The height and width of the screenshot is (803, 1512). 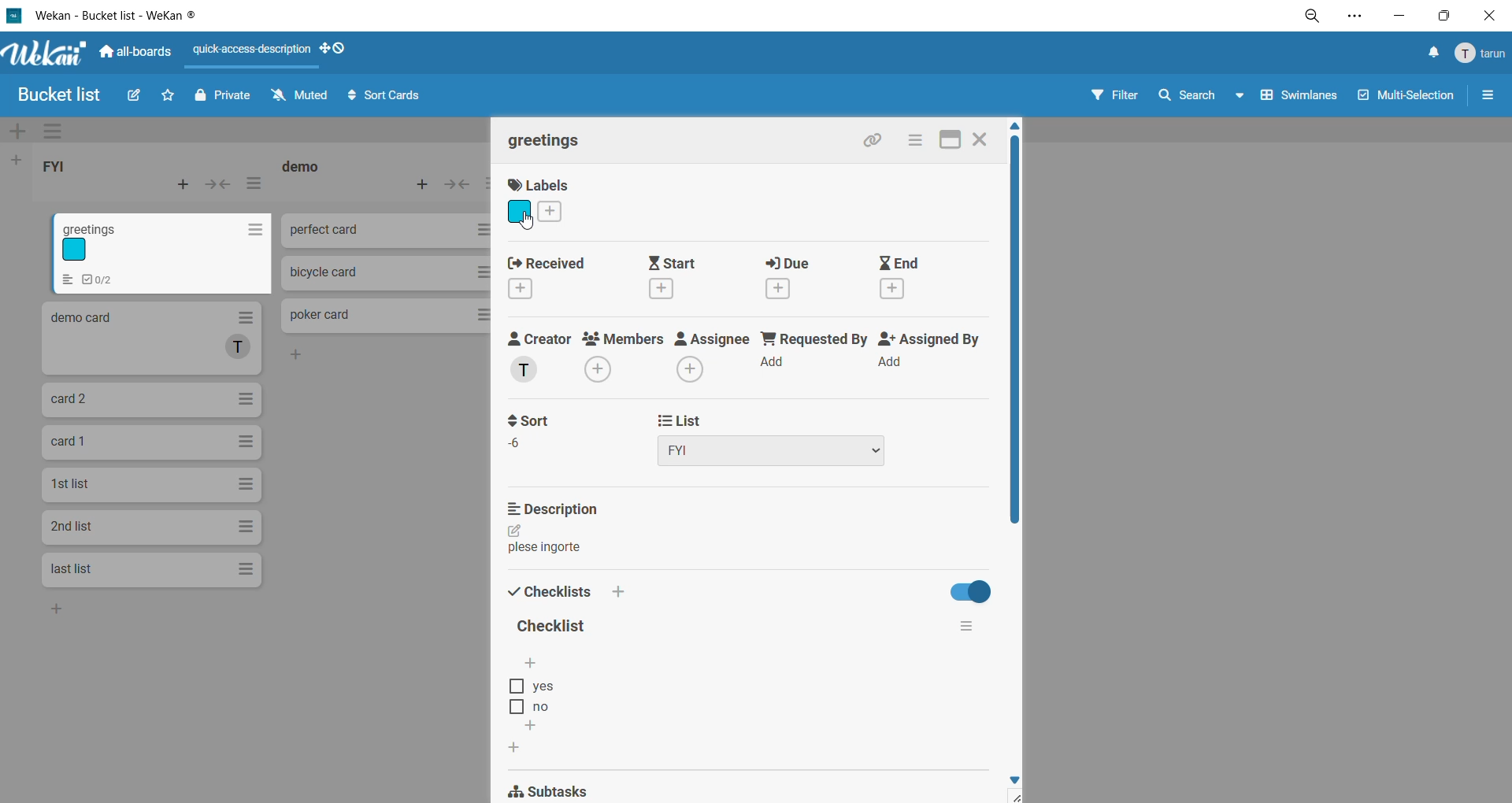 What do you see at coordinates (541, 358) in the screenshot?
I see `creator` at bounding box center [541, 358].